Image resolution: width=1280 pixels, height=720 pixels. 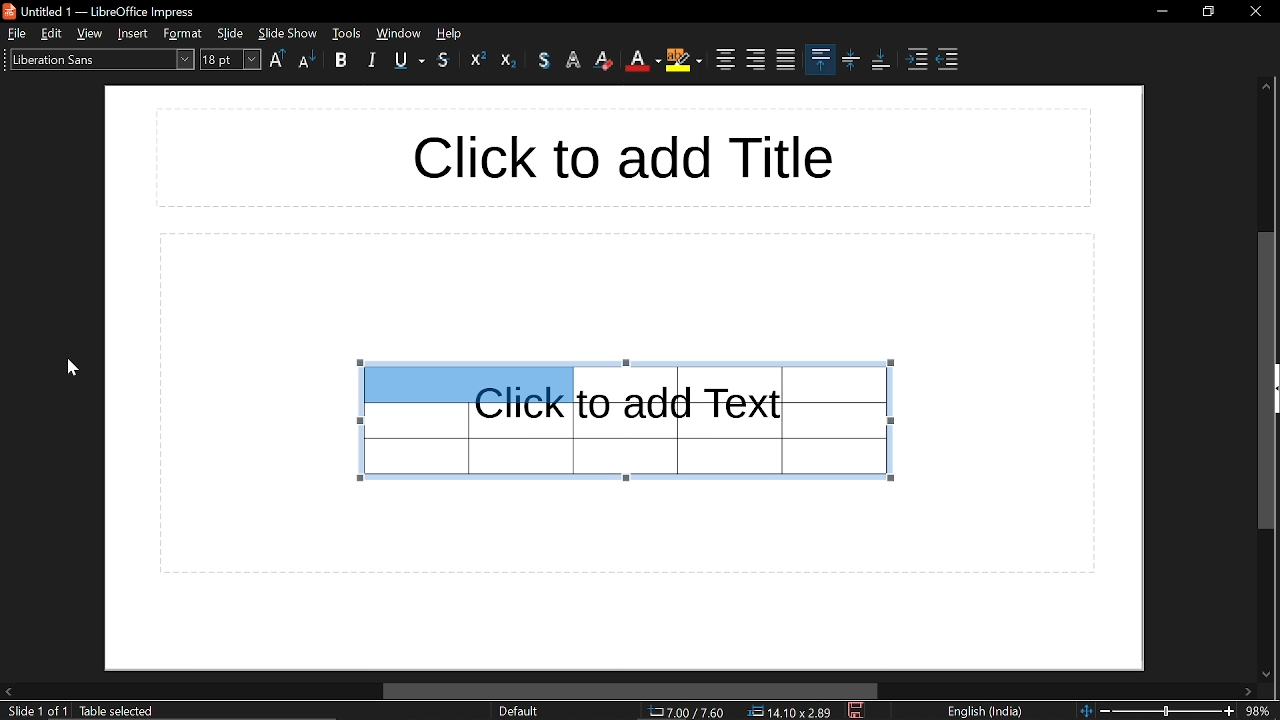 What do you see at coordinates (790, 712) in the screenshot?
I see `dimension` at bounding box center [790, 712].